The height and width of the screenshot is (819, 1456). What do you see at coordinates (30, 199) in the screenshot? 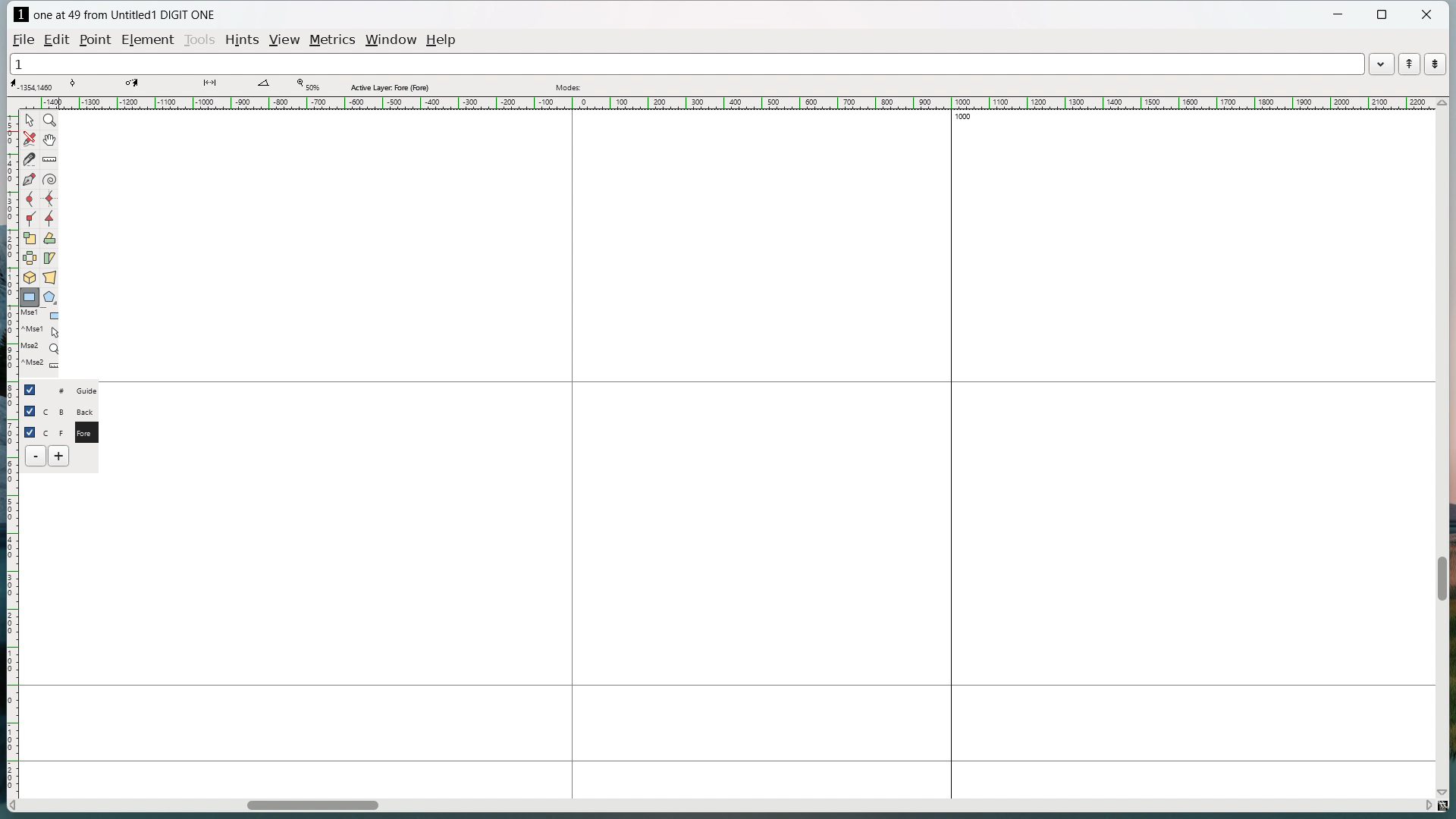
I see `add a curve point` at bounding box center [30, 199].